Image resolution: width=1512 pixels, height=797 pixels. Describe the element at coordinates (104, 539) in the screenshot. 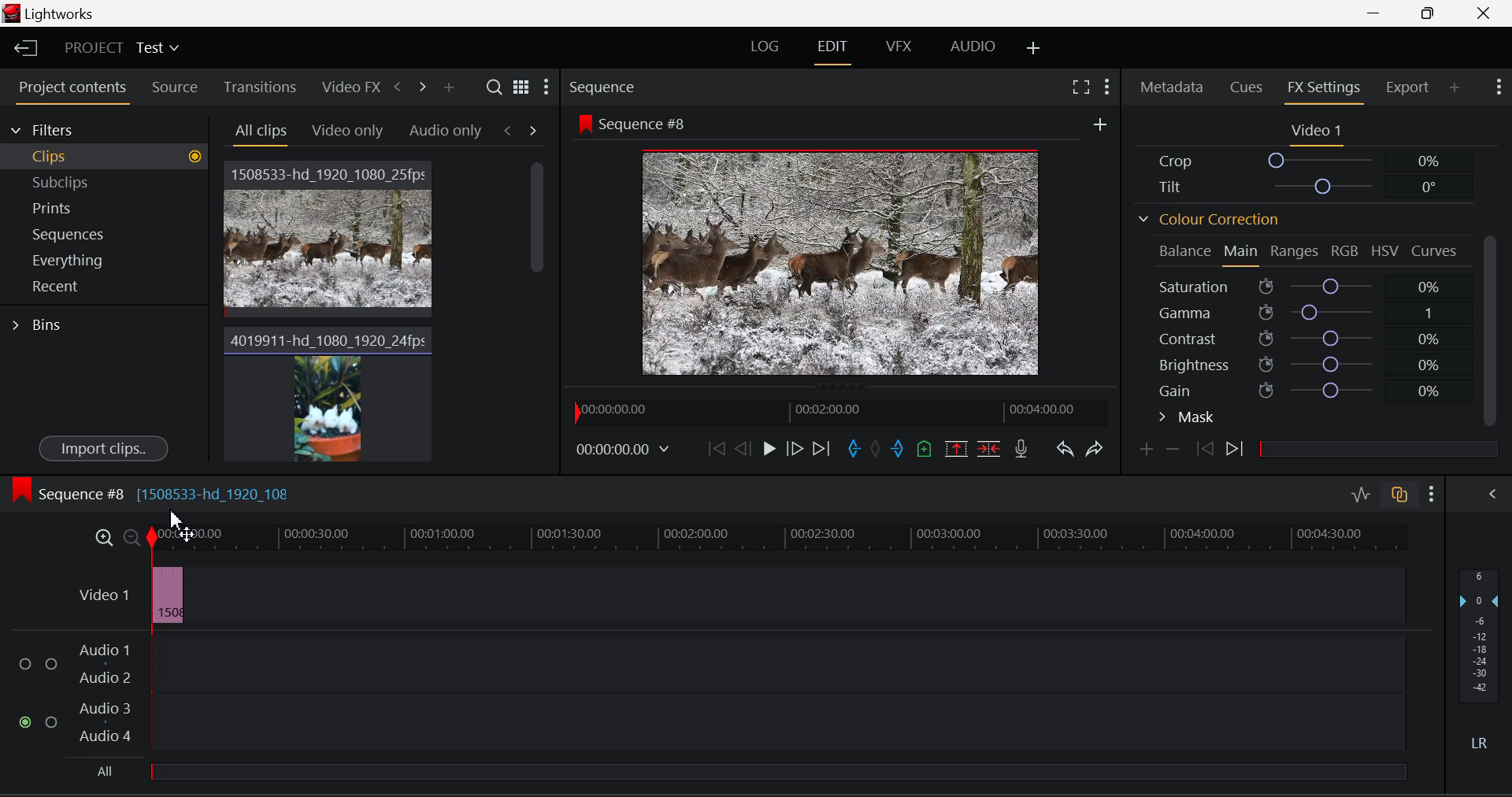

I see `Maximize` at that location.